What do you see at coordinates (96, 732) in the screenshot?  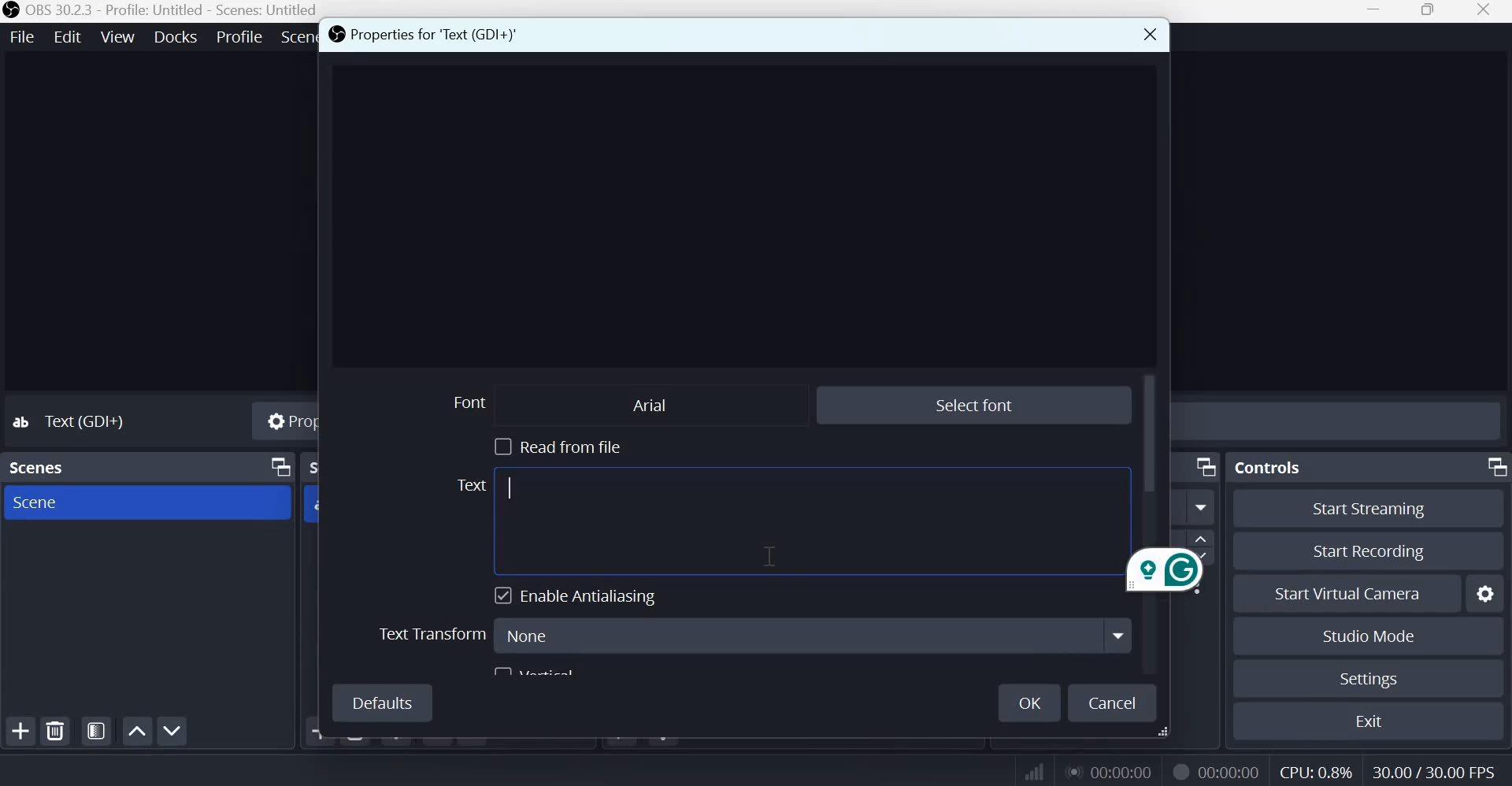 I see `Open scene filters` at bounding box center [96, 732].